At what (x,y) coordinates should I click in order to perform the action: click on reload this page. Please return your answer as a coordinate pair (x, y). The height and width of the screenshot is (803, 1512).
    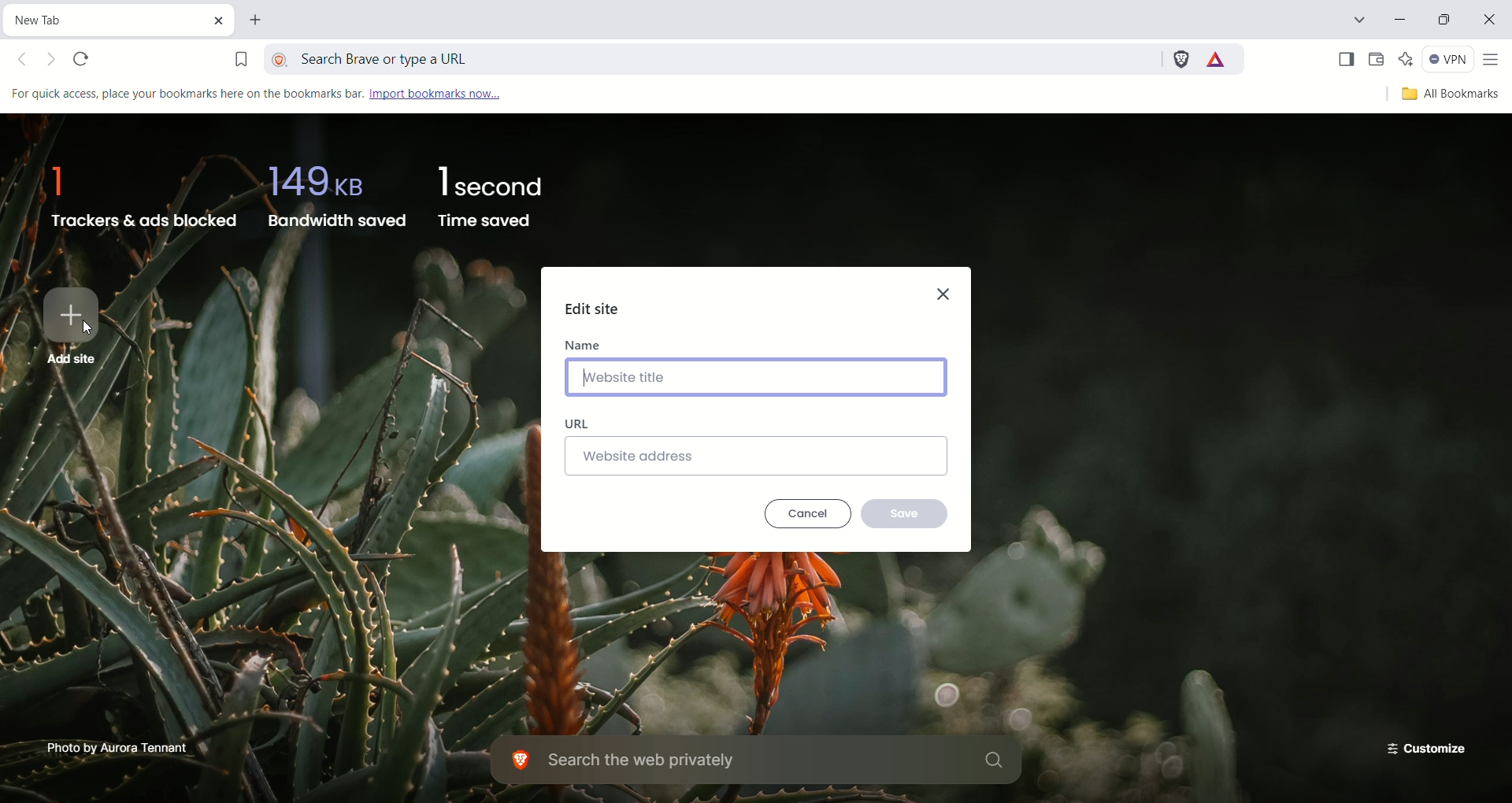
    Looking at the image, I should click on (84, 61).